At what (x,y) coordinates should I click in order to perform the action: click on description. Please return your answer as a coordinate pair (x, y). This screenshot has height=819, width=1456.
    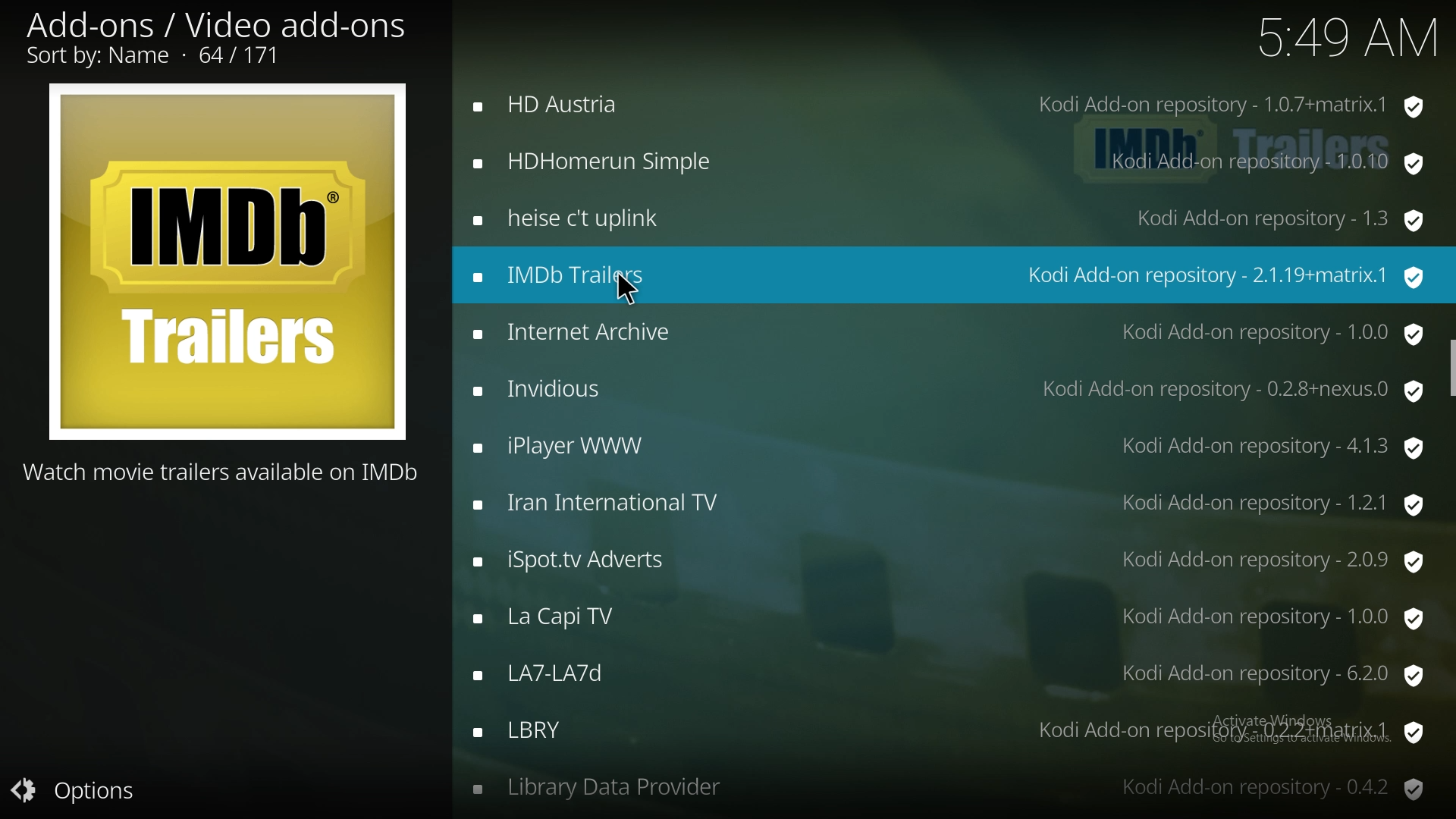
    Looking at the image, I should click on (223, 472).